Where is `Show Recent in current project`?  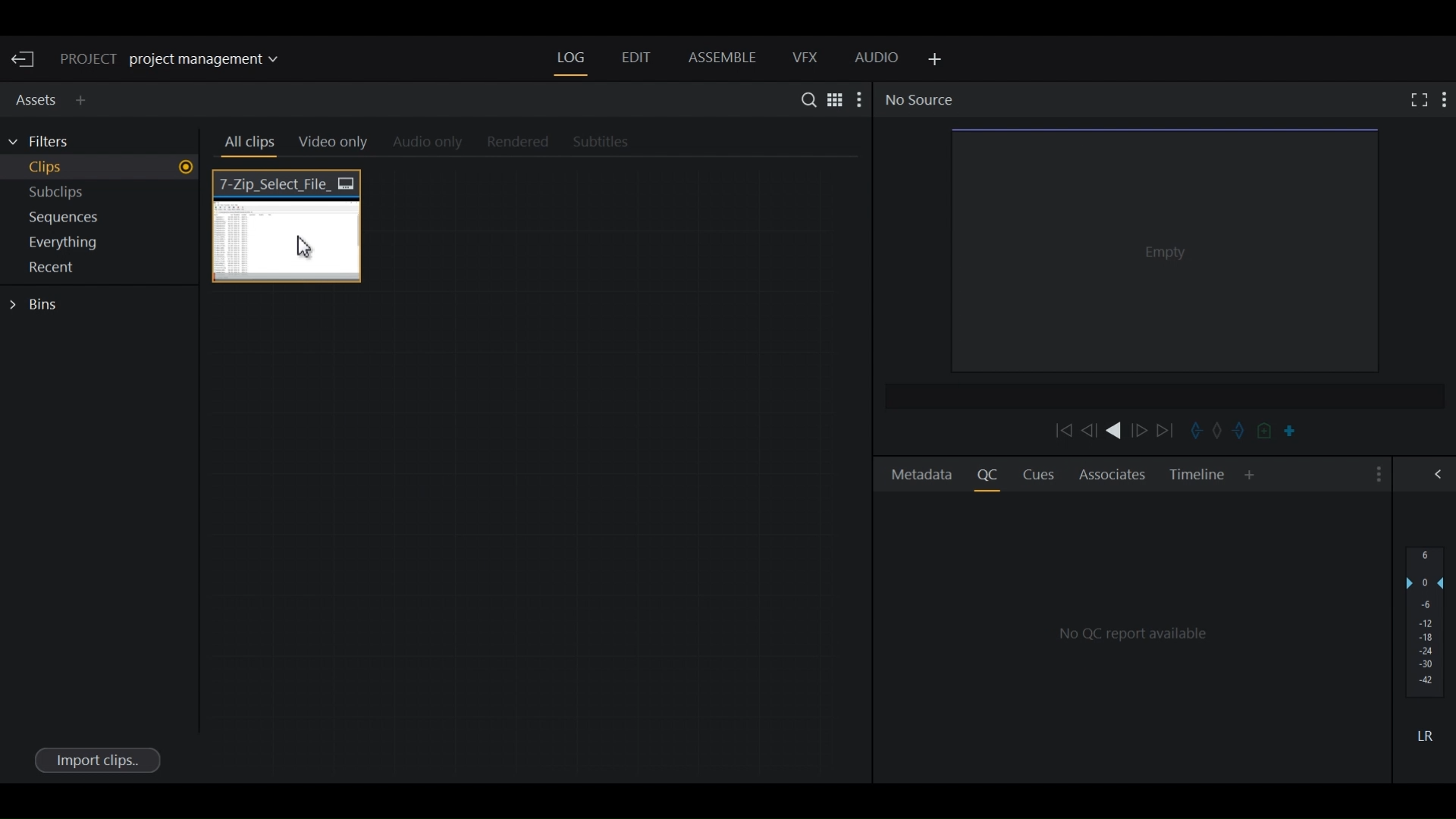 Show Recent in current project is located at coordinates (102, 268).